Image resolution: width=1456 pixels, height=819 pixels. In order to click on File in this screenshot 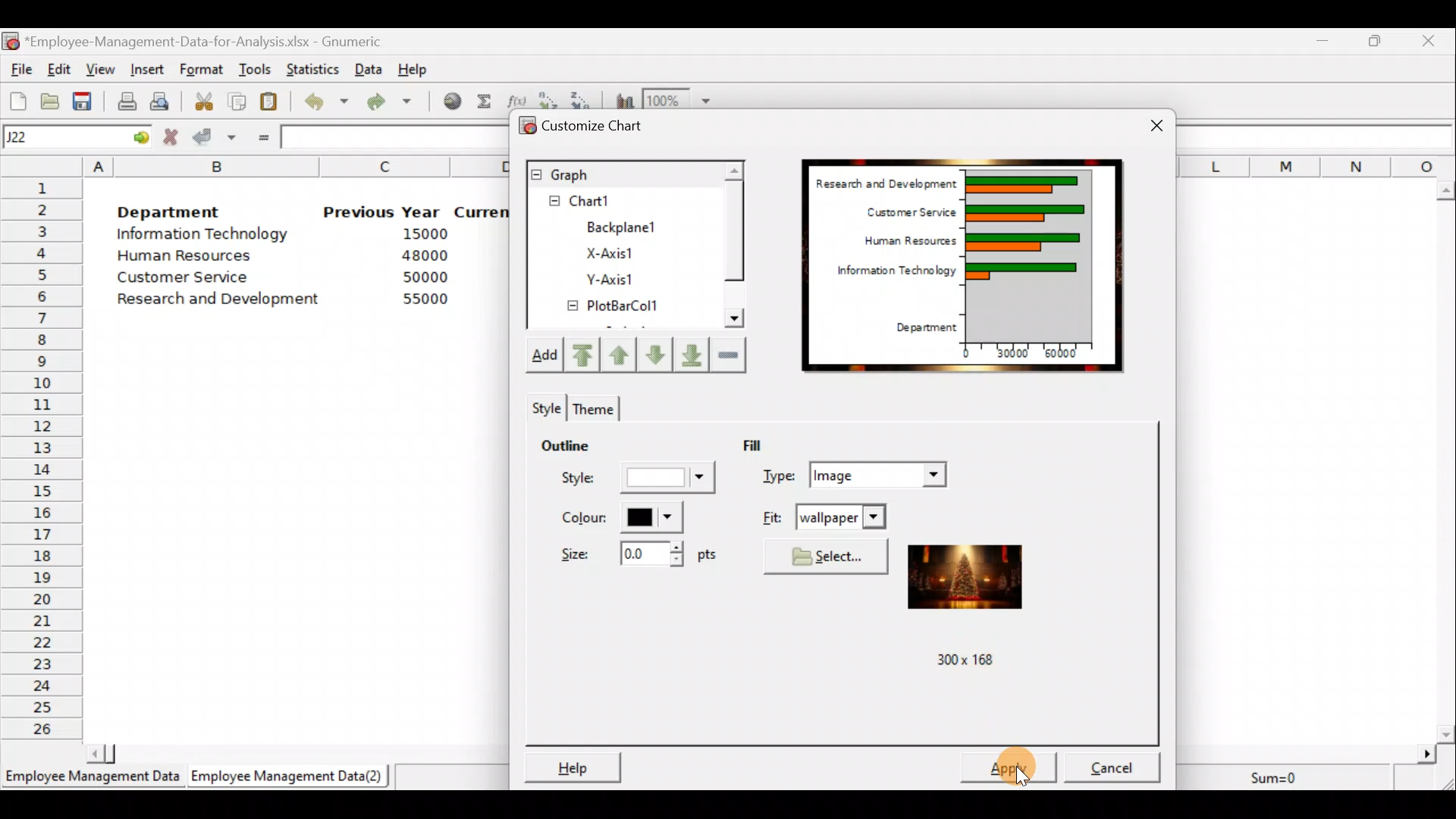, I will do `click(19, 69)`.